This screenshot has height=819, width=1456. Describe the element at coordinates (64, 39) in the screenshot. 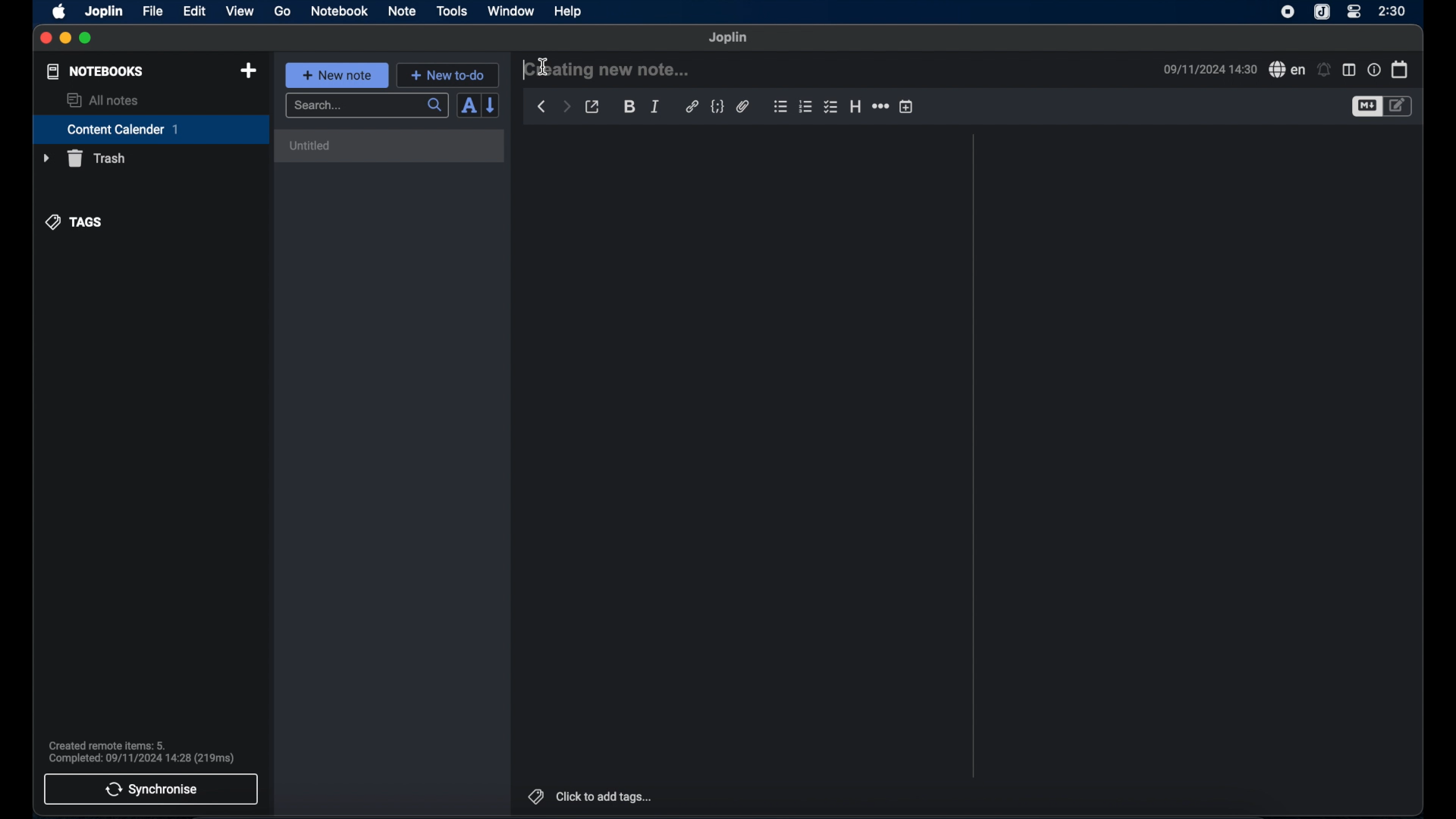

I see `minimize` at that location.